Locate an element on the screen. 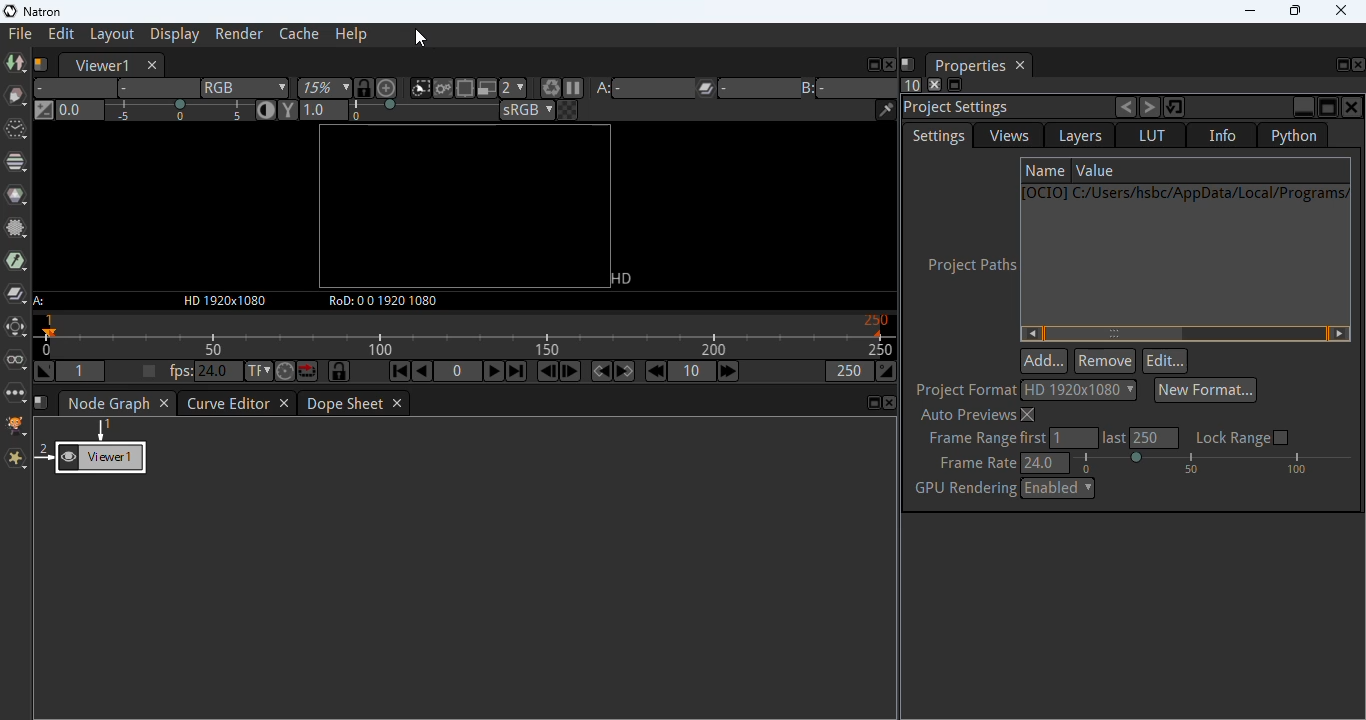  add is located at coordinates (1044, 362).